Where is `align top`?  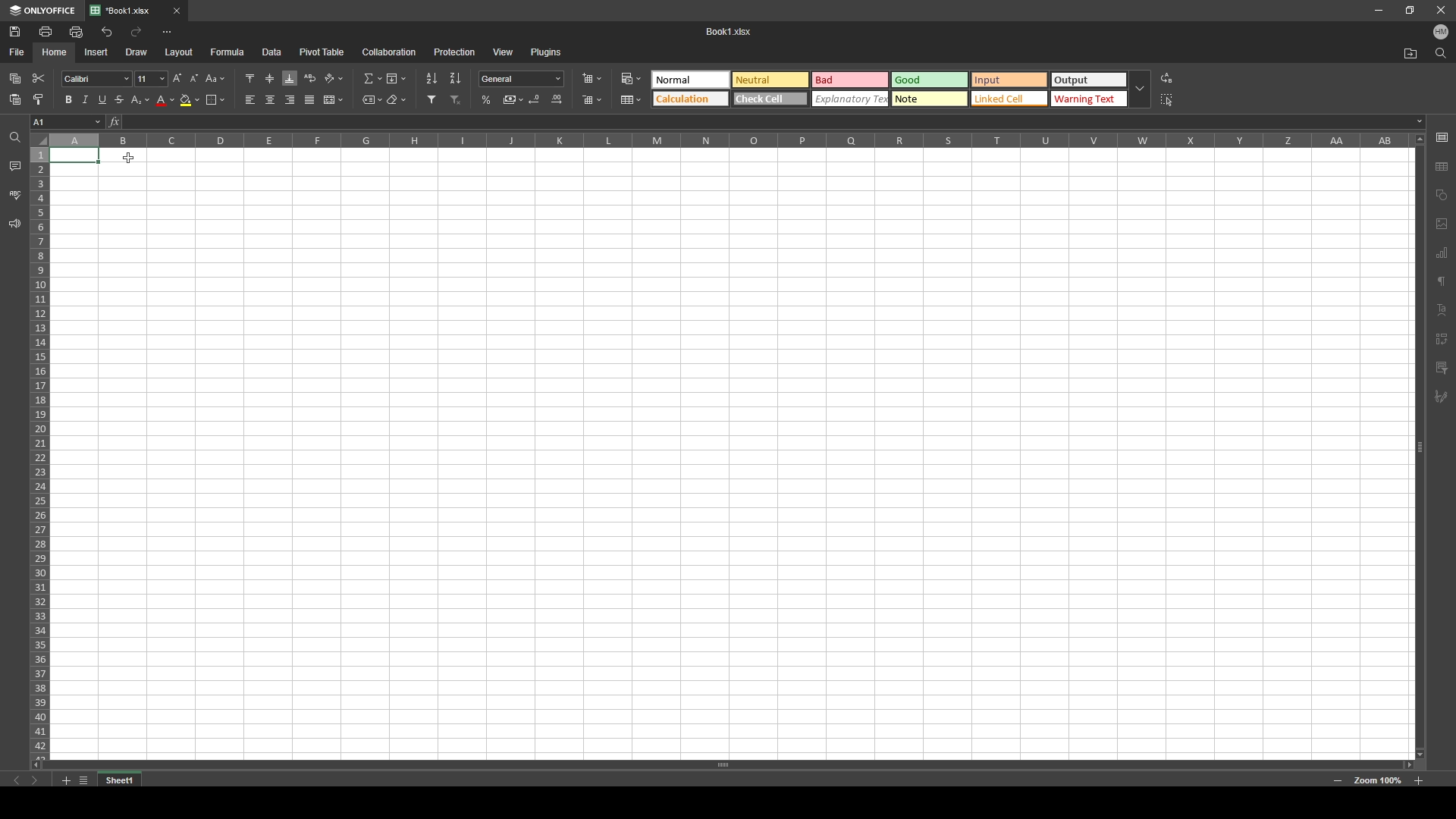
align top is located at coordinates (249, 77).